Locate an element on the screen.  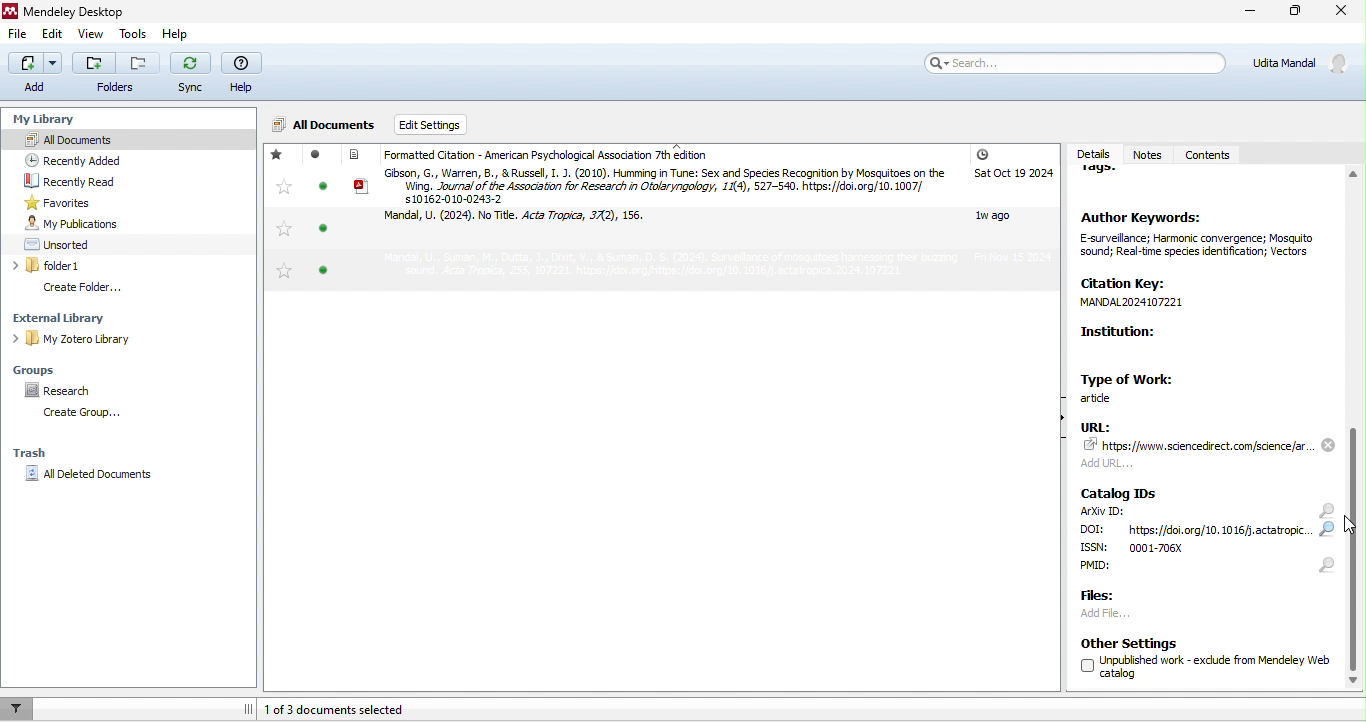
my zotero library is located at coordinates (118, 338).